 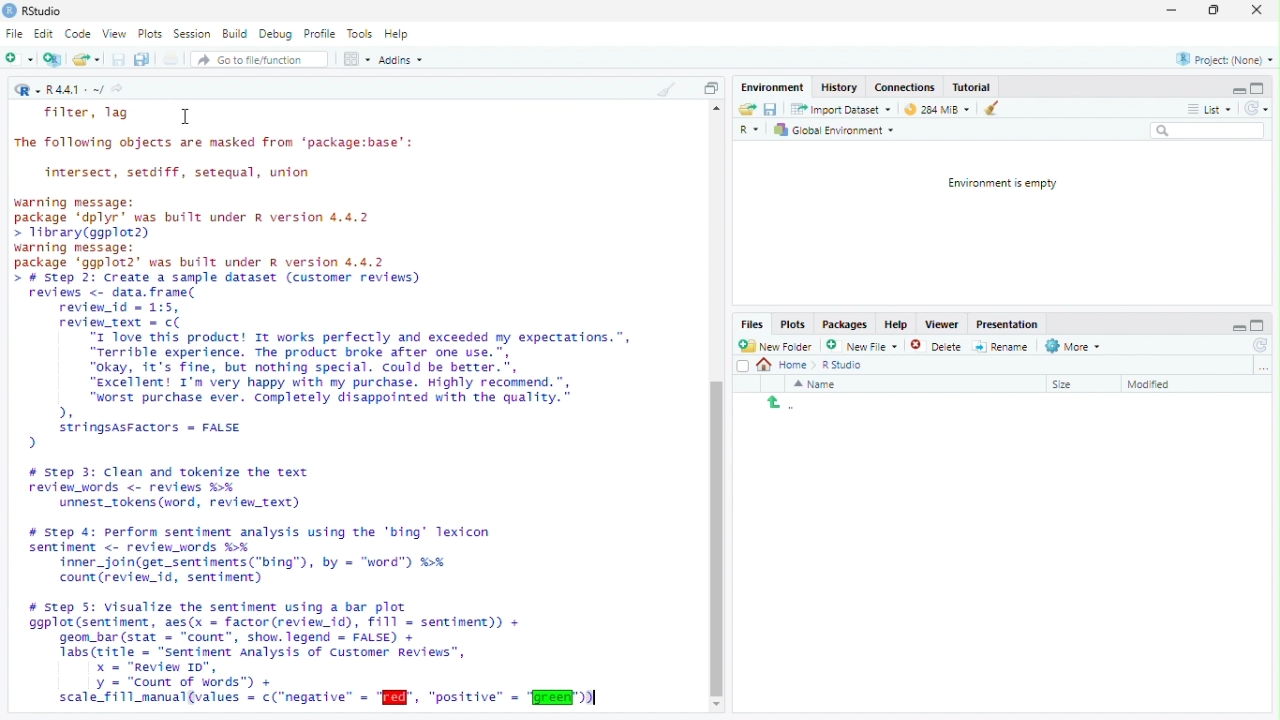 What do you see at coordinates (397, 33) in the screenshot?
I see `Help` at bounding box center [397, 33].